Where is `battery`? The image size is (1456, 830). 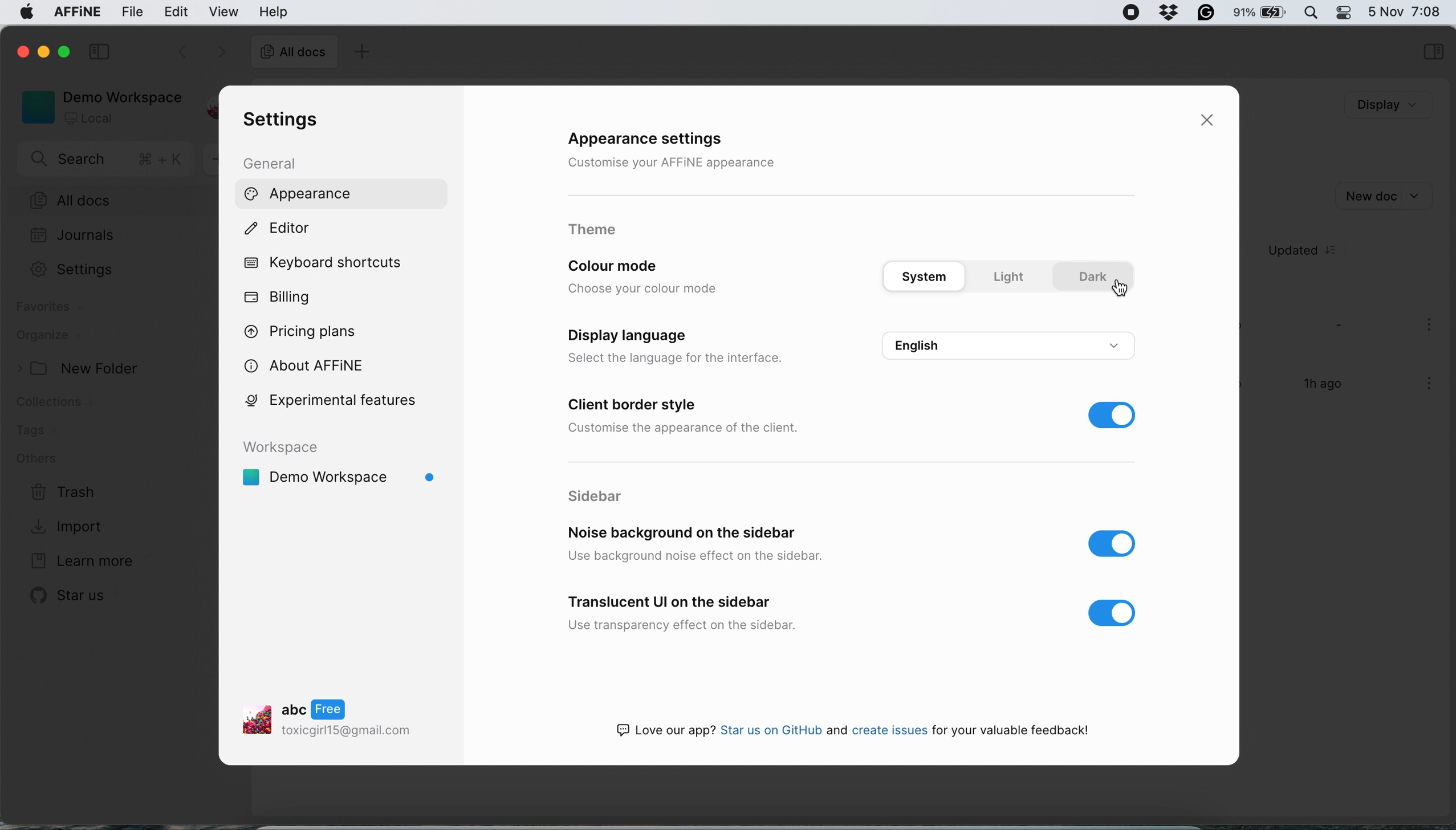 battery is located at coordinates (1263, 14).